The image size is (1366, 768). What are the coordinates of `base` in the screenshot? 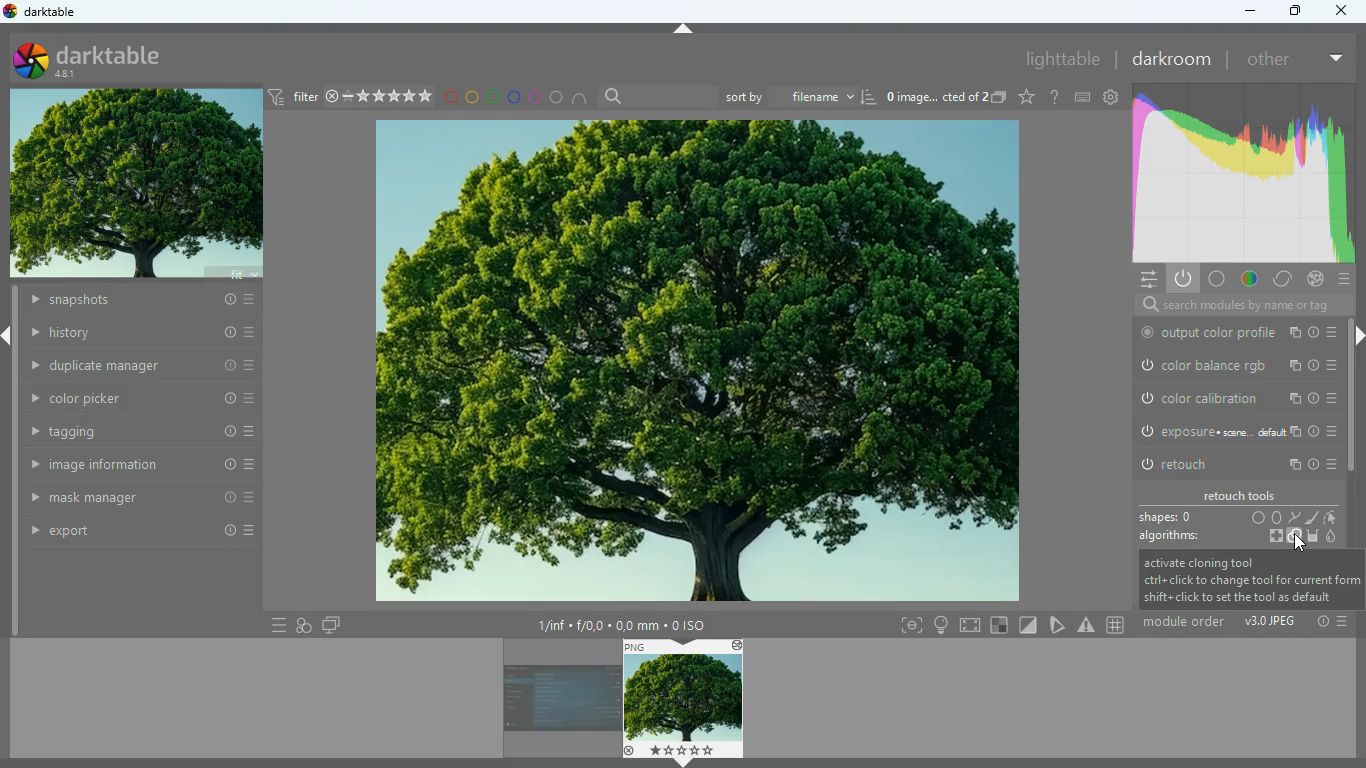 It's located at (1215, 278).